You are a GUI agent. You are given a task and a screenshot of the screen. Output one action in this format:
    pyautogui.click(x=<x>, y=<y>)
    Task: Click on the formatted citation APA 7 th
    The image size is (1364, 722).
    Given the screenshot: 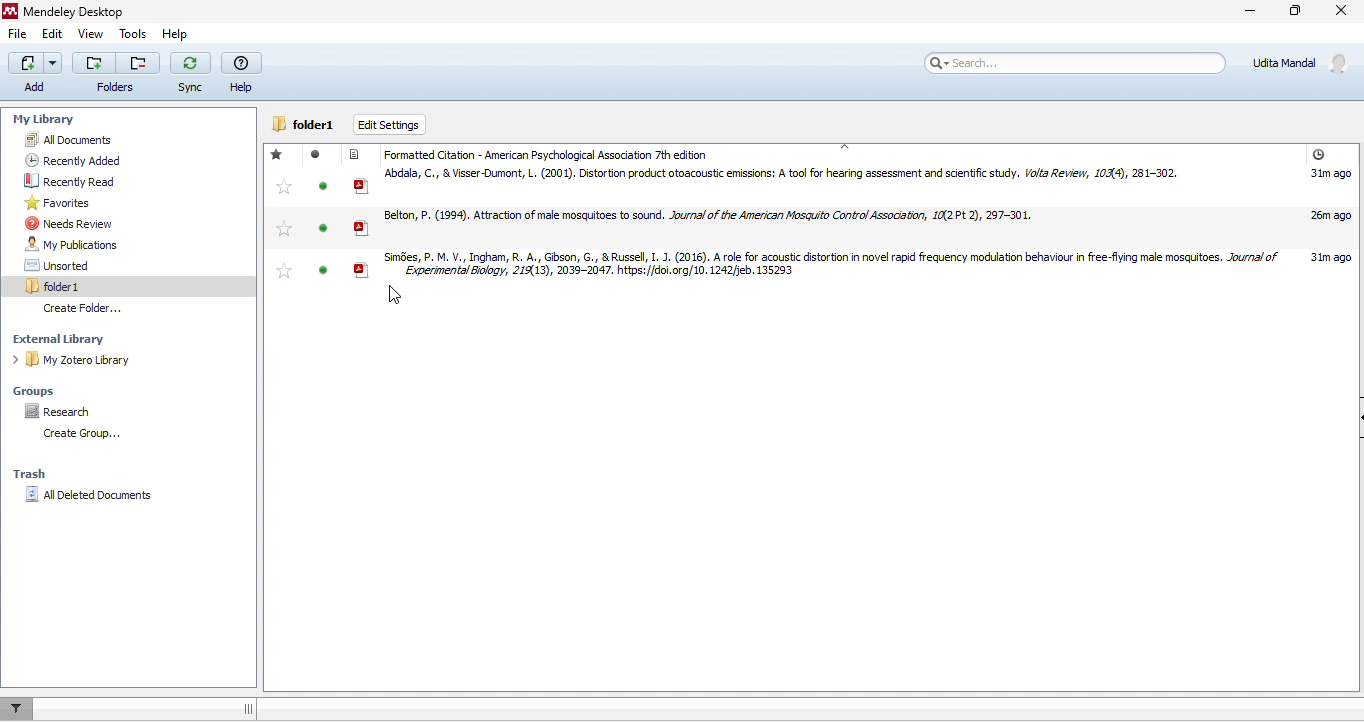 What is the action you would take?
    pyautogui.click(x=552, y=152)
    